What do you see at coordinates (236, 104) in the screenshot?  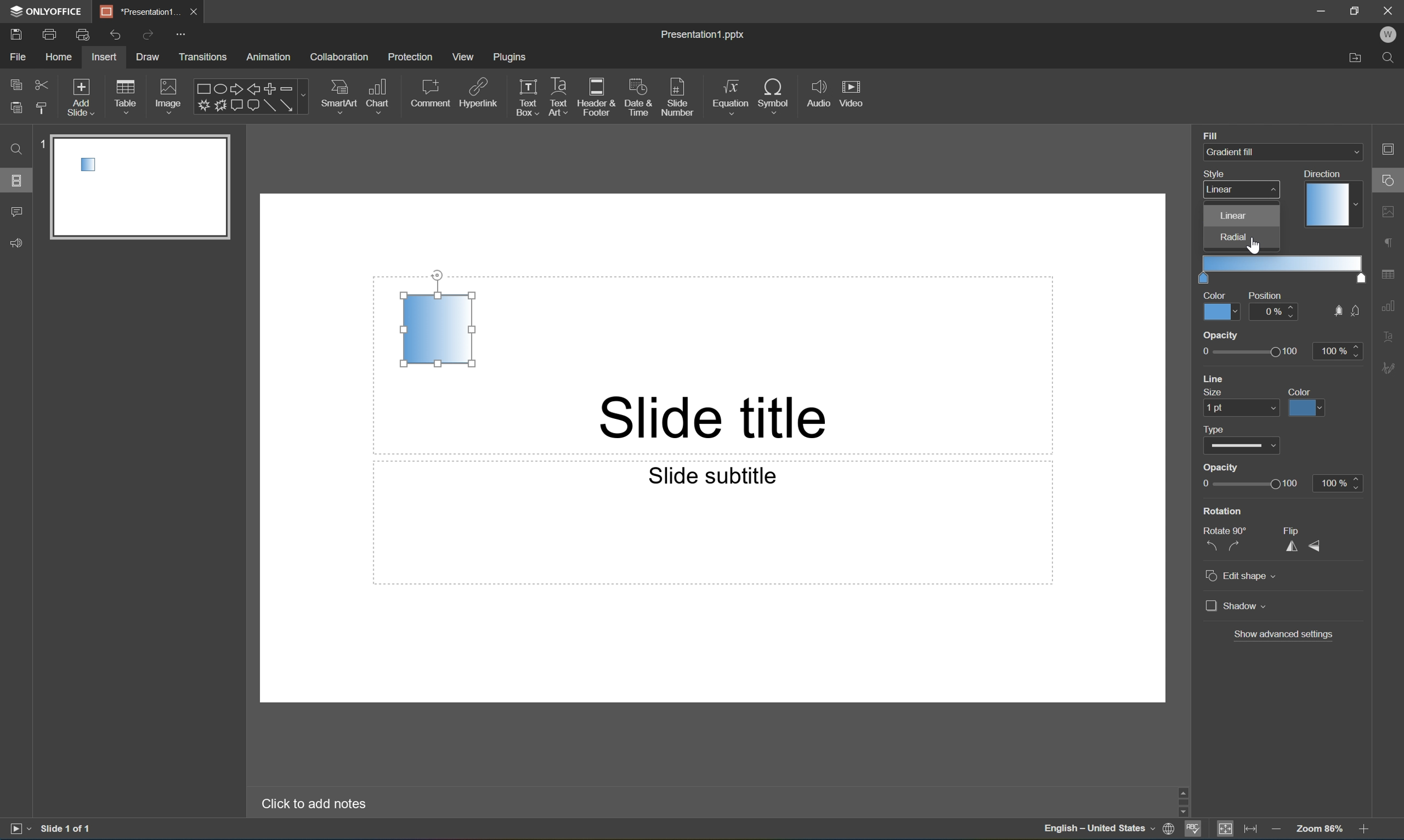 I see `` at bounding box center [236, 104].